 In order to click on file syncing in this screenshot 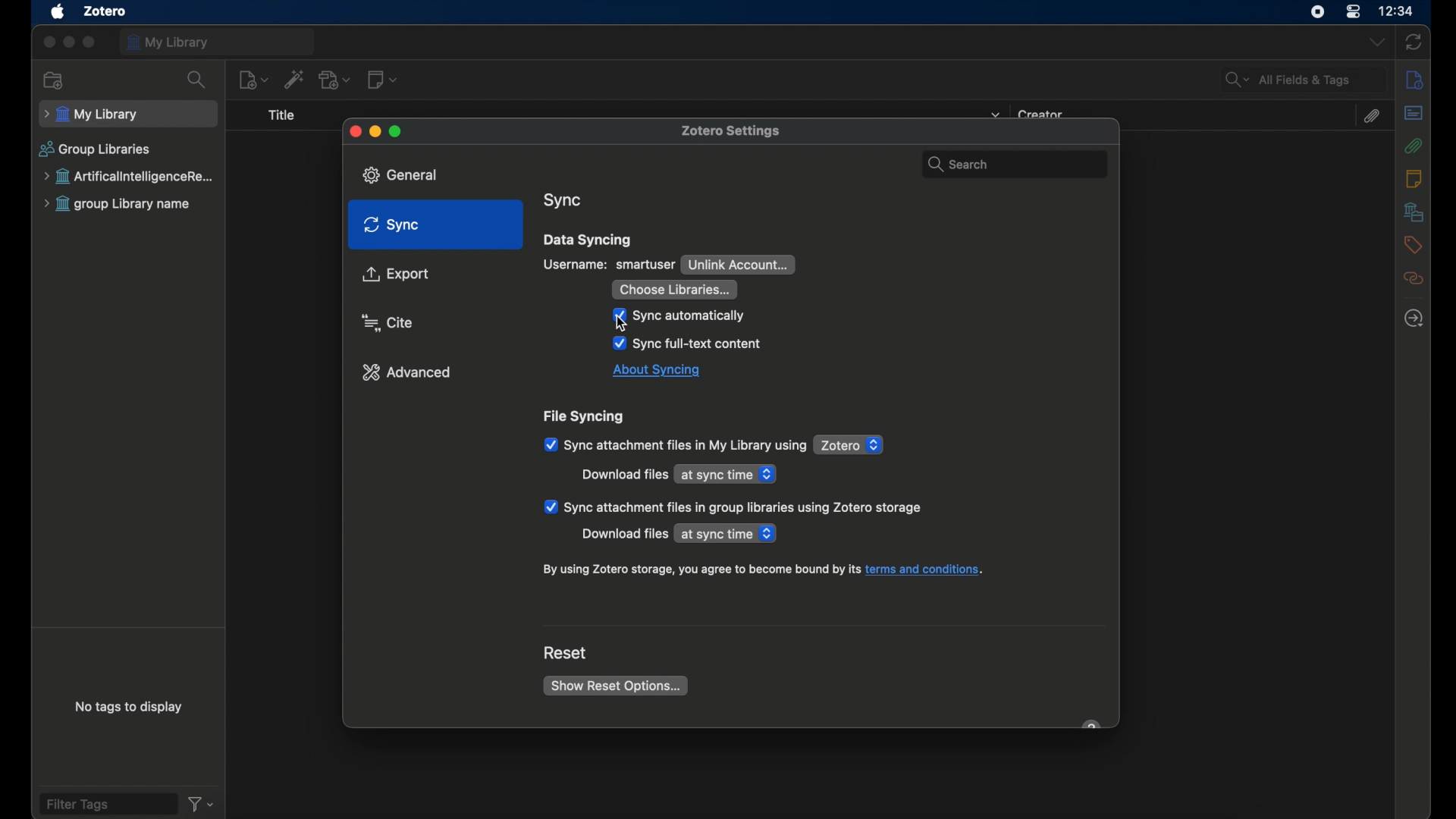, I will do `click(586, 417)`.